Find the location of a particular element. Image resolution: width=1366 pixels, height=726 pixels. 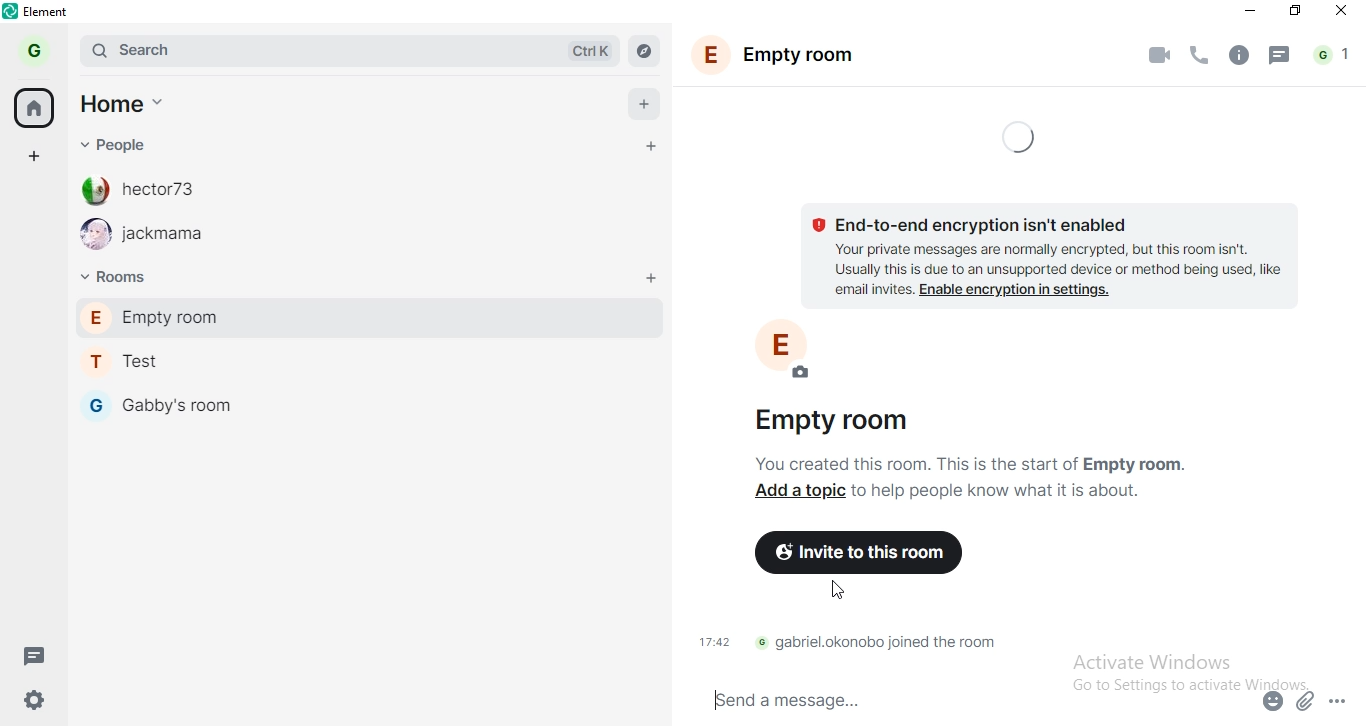

Rooms is located at coordinates (133, 274).